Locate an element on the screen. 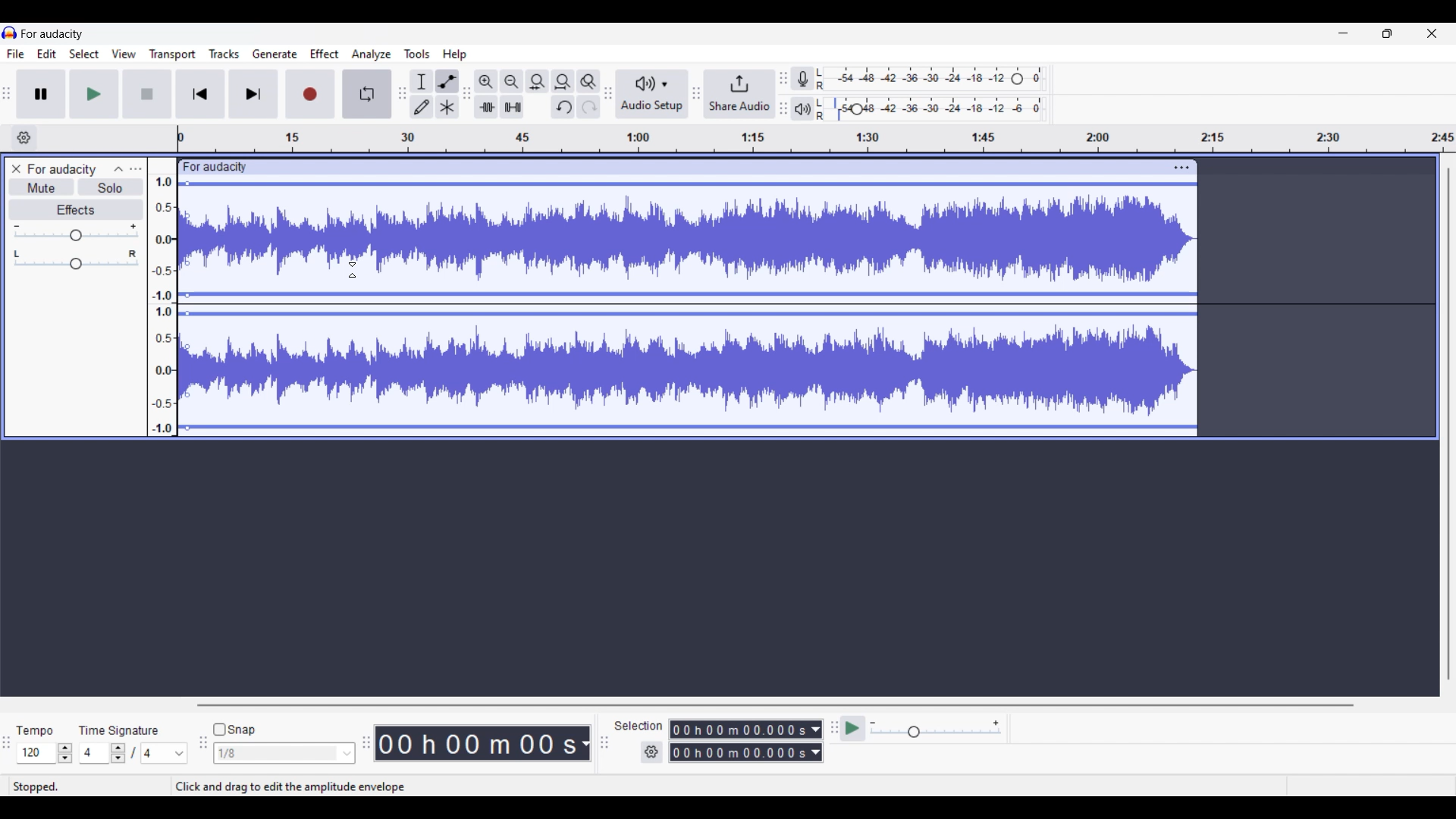 The image size is (1456, 819). Close track is located at coordinates (17, 168).